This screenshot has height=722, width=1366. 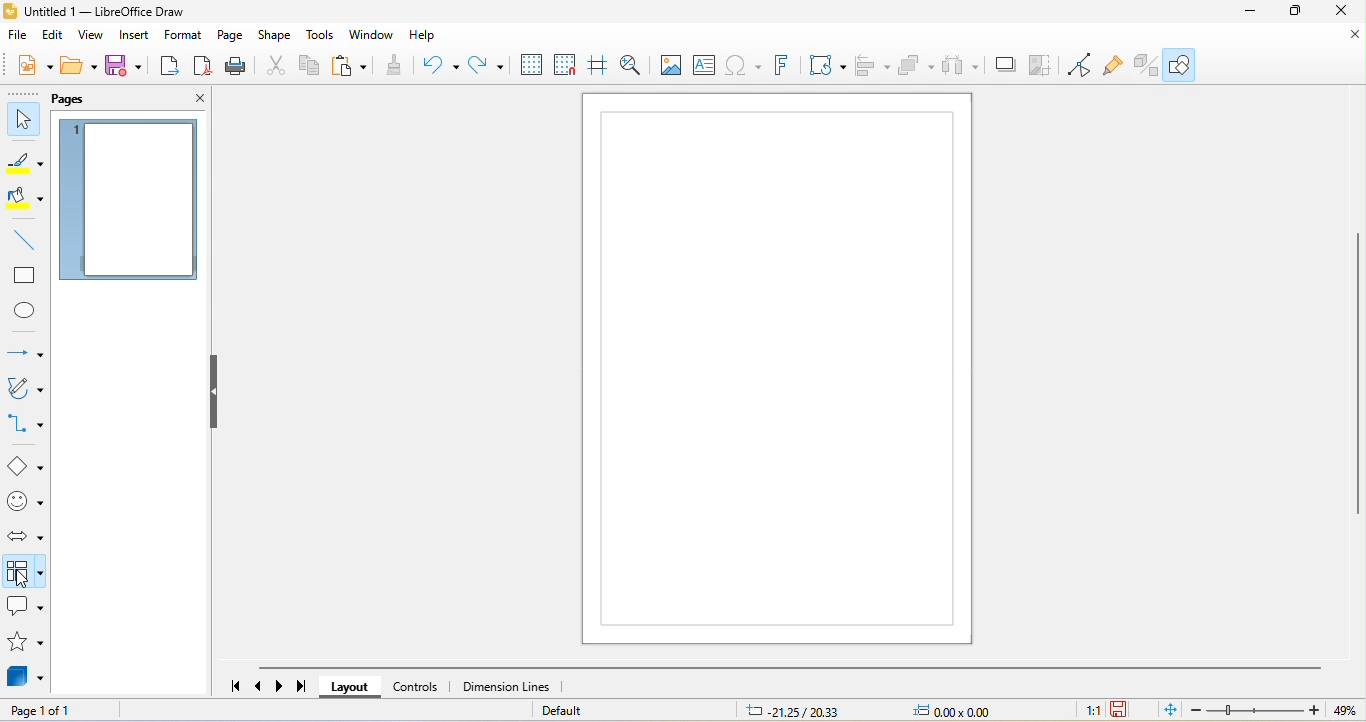 What do you see at coordinates (24, 160) in the screenshot?
I see `line color` at bounding box center [24, 160].